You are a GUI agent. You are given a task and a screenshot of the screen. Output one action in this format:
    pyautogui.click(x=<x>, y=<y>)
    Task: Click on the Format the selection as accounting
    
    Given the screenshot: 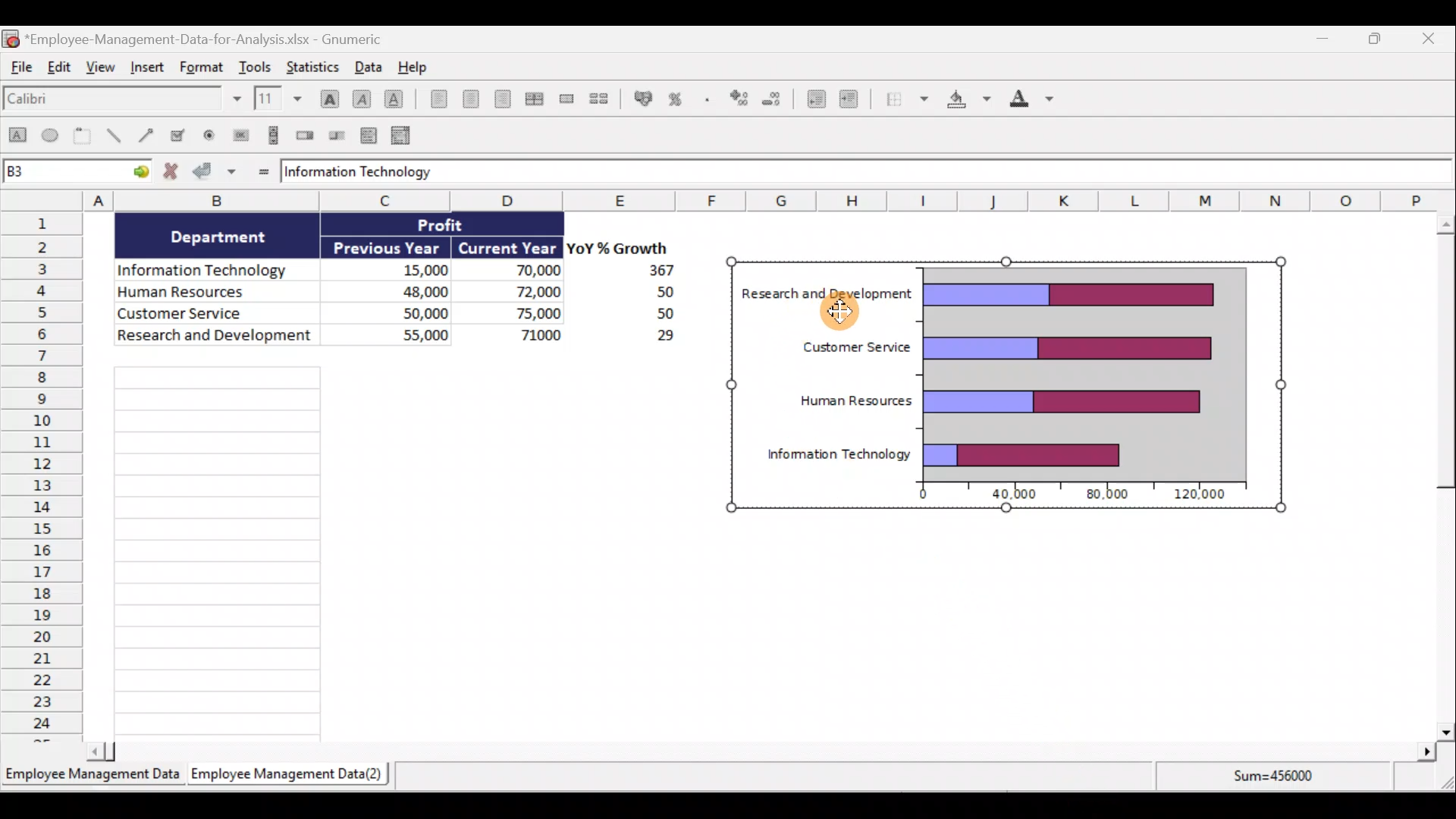 What is the action you would take?
    pyautogui.click(x=642, y=99)
    